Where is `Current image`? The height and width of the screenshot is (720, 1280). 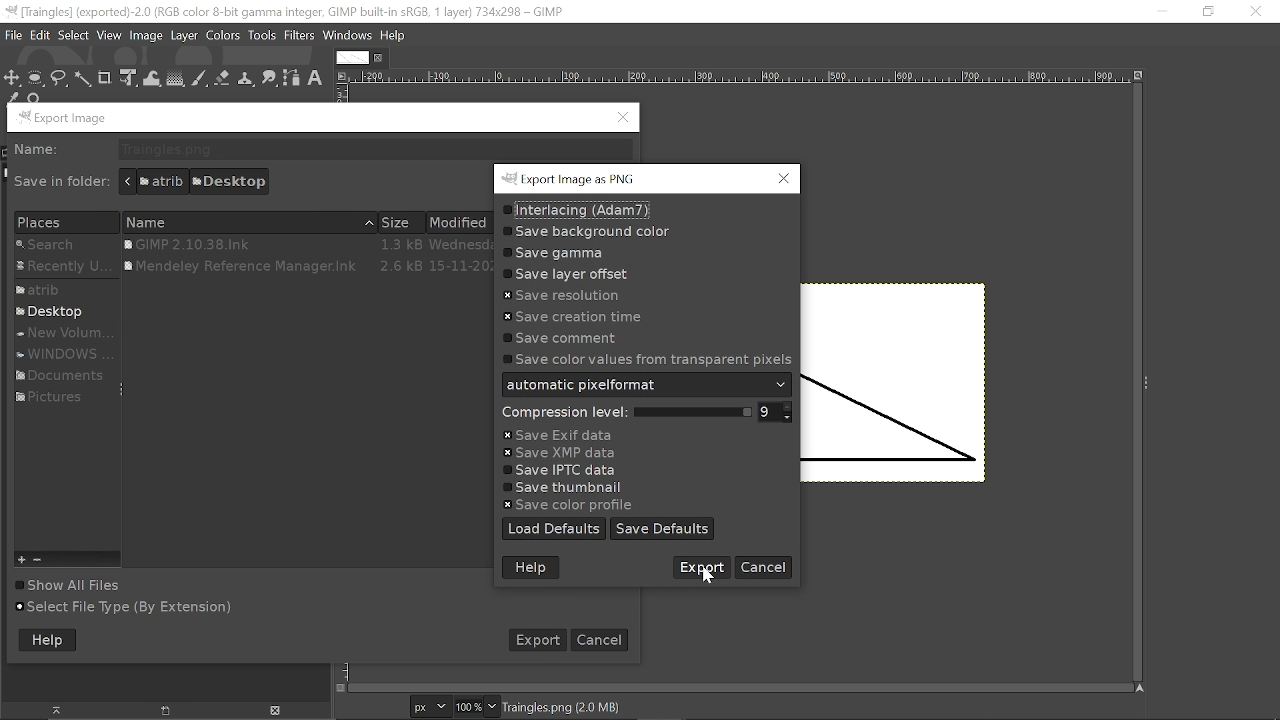 Current image is located at coordinates (895, 384).